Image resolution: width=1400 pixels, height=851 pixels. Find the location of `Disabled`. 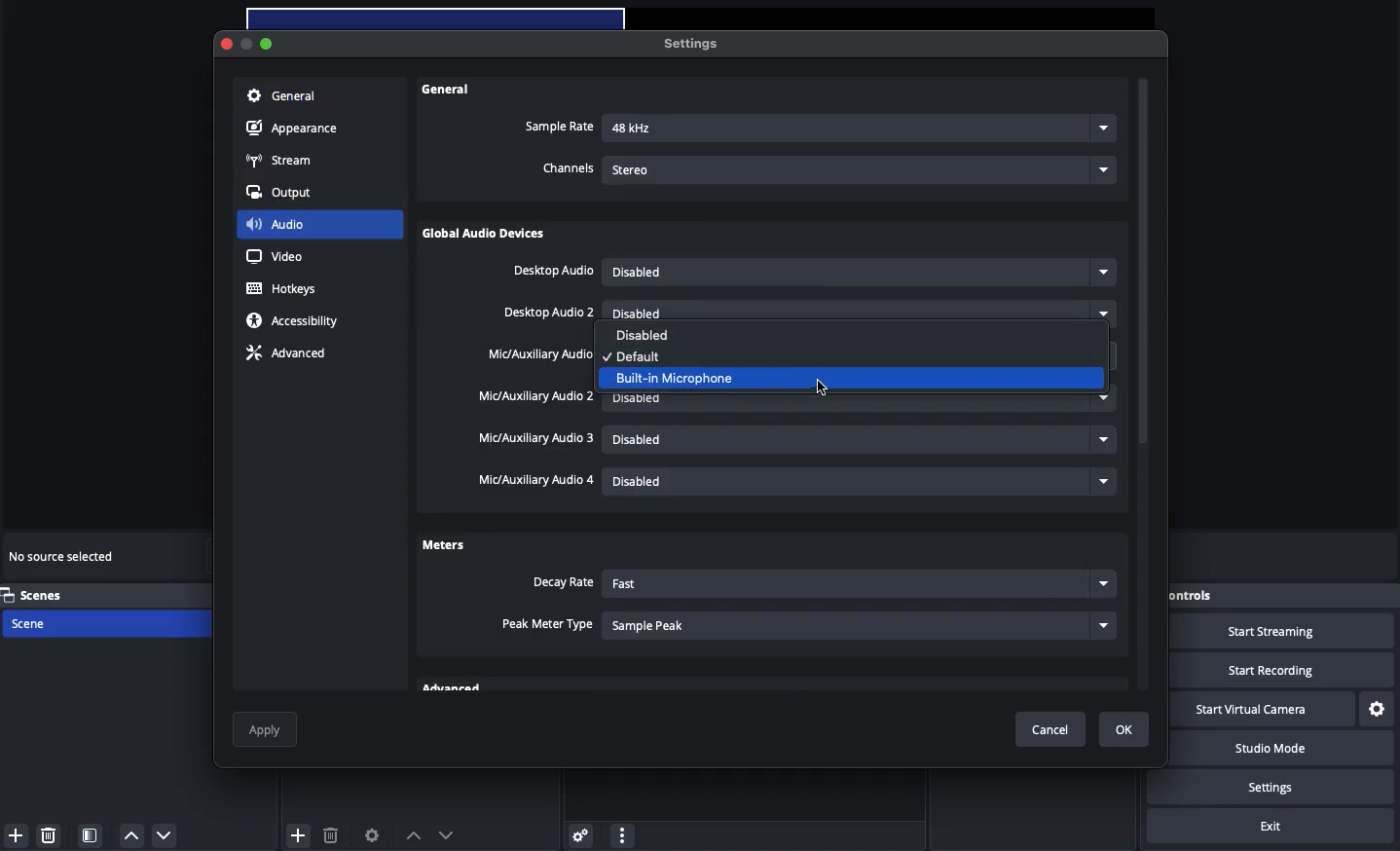

Disabled is located at coordinates (862, 484).